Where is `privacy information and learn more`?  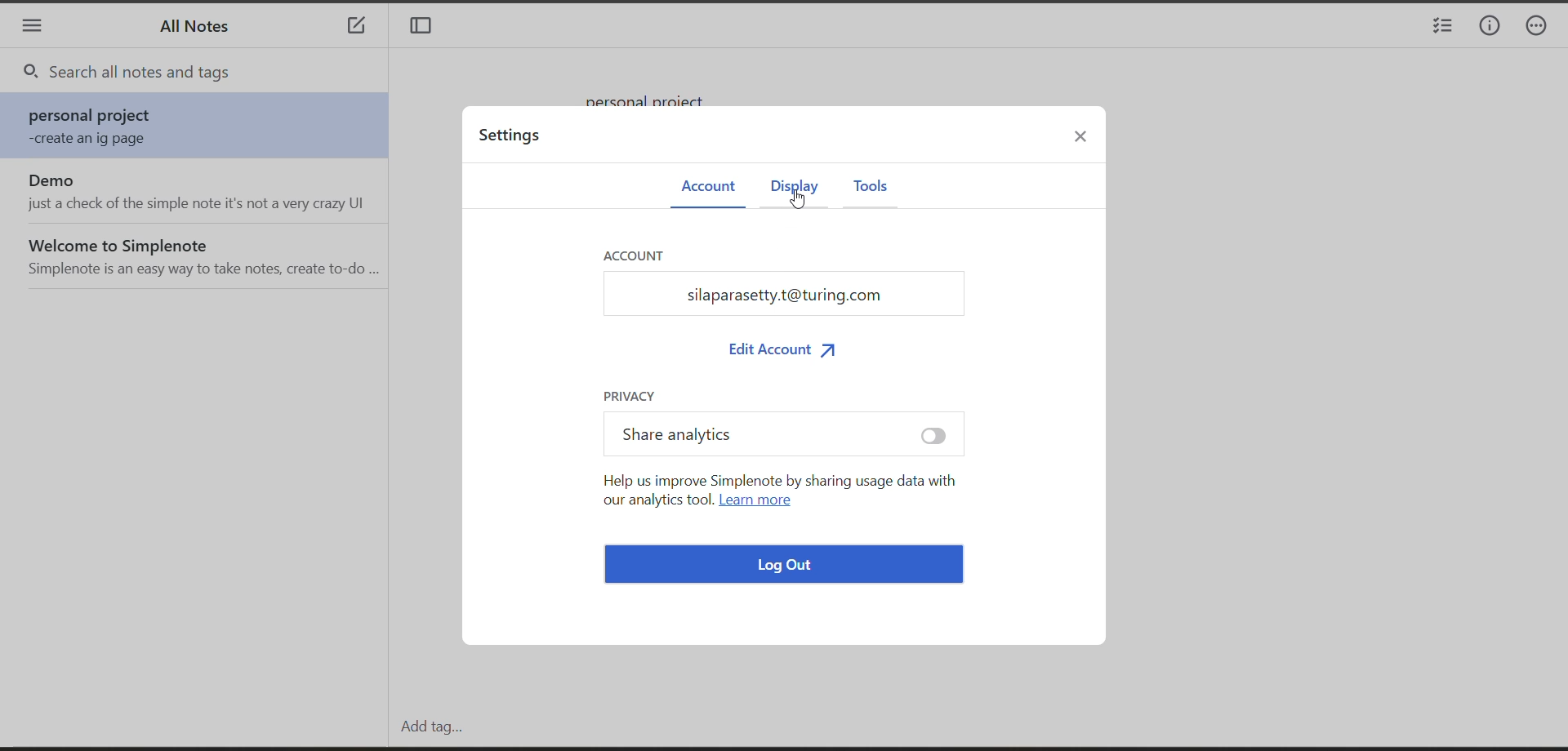 privacy information and learn more is located at coordinates (784, 481).